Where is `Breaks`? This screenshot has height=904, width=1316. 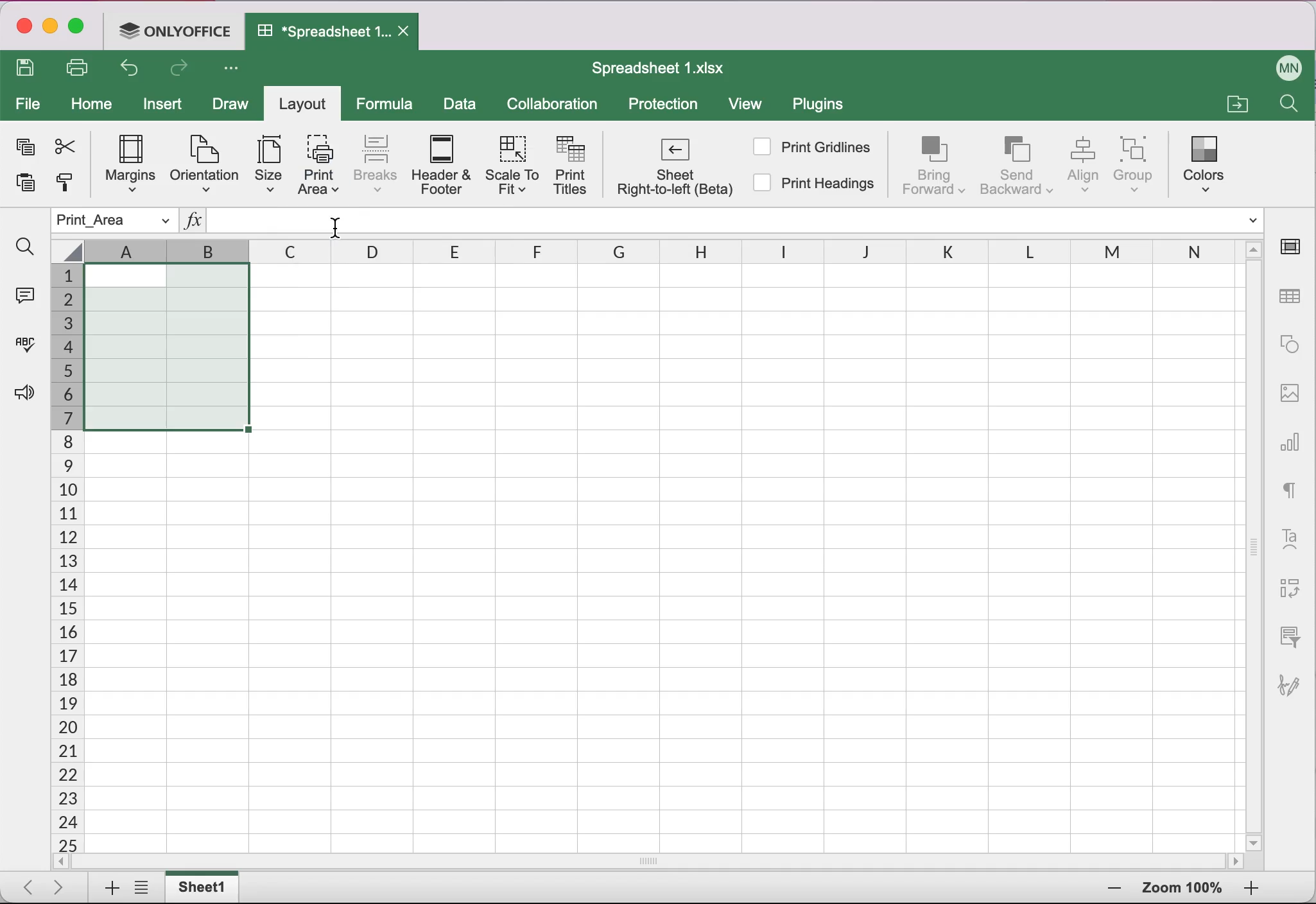
Breaks is located at coordinates (375, 163).